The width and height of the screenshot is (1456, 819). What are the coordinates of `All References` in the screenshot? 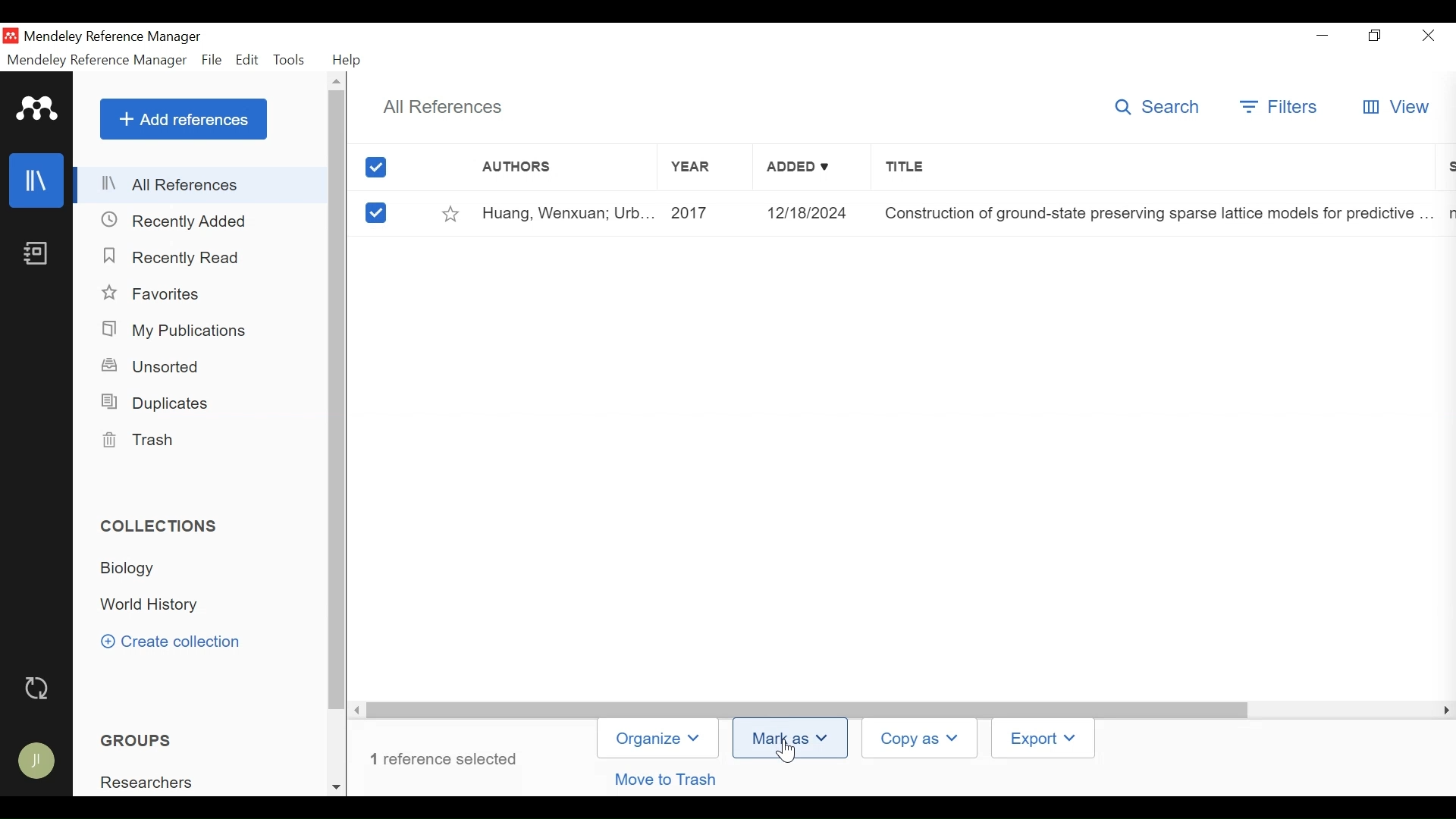 It's located at (448, 108).